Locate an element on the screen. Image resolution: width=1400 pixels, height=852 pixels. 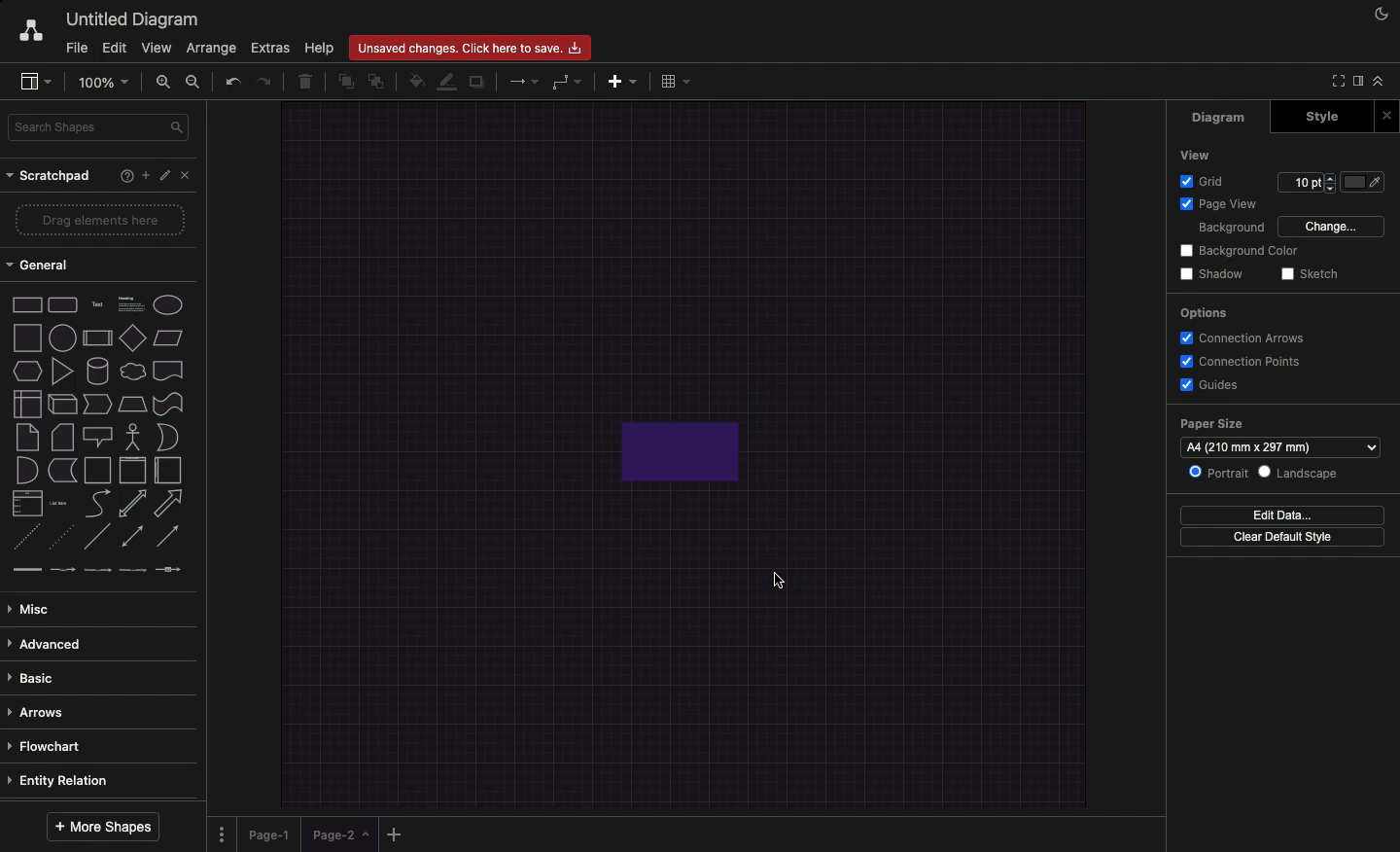
rounded rectangle is located at coordinates (61, 302).